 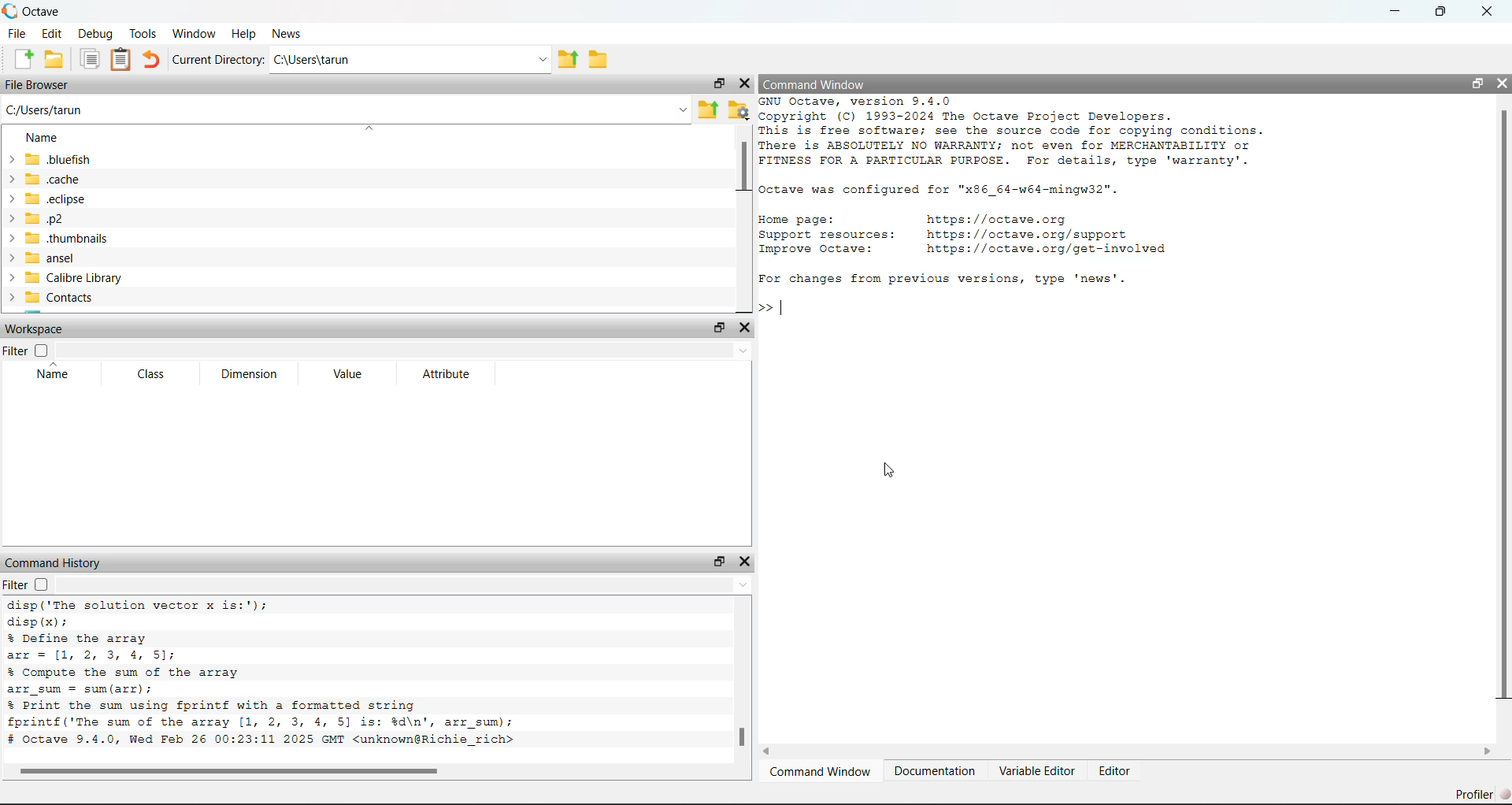 I want to click on Editor, so click(x=1117, y=773).